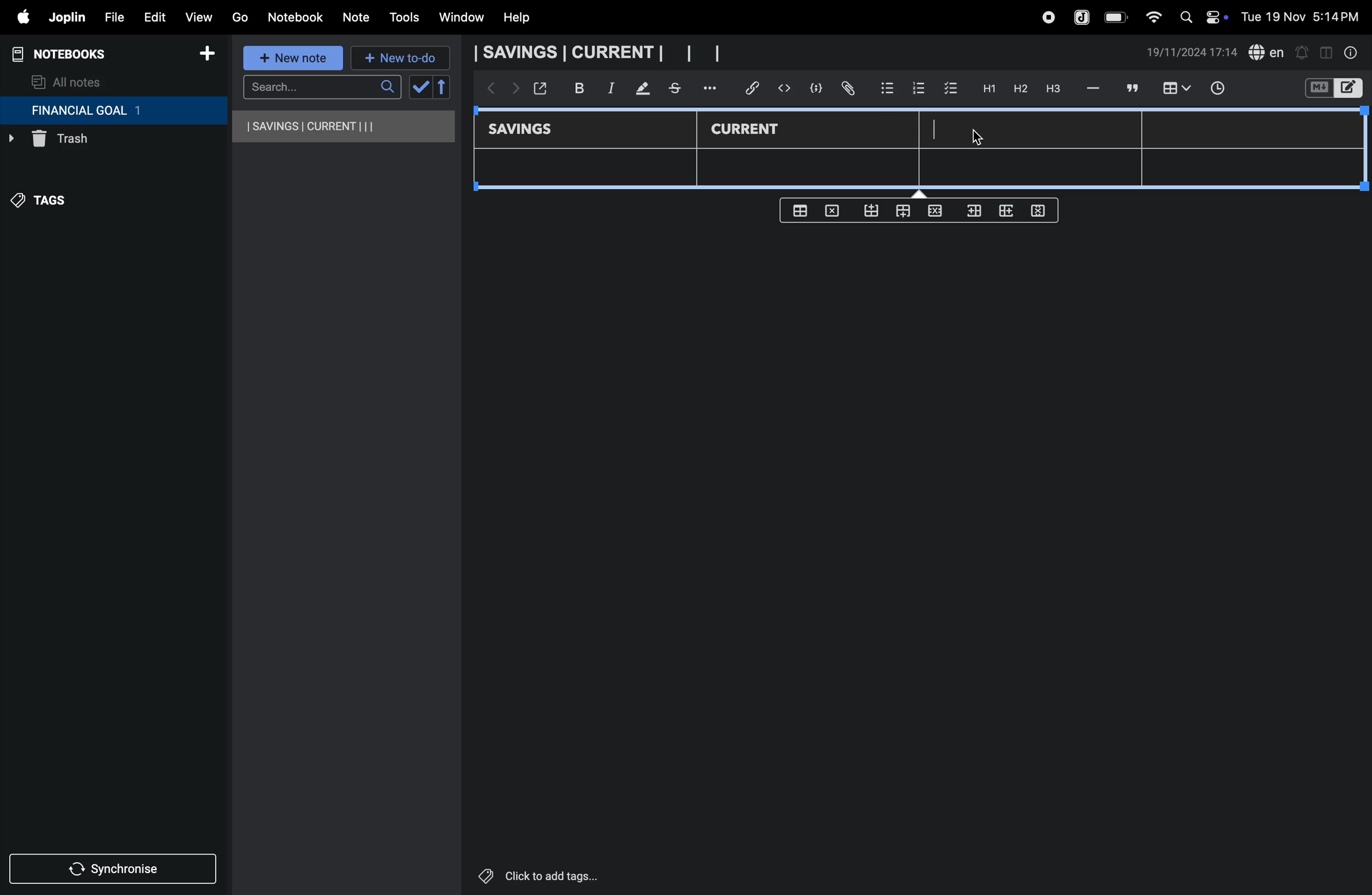  Describe the element at coordinates (1095, 88) in the screenshot. I see `hifen` at that location.